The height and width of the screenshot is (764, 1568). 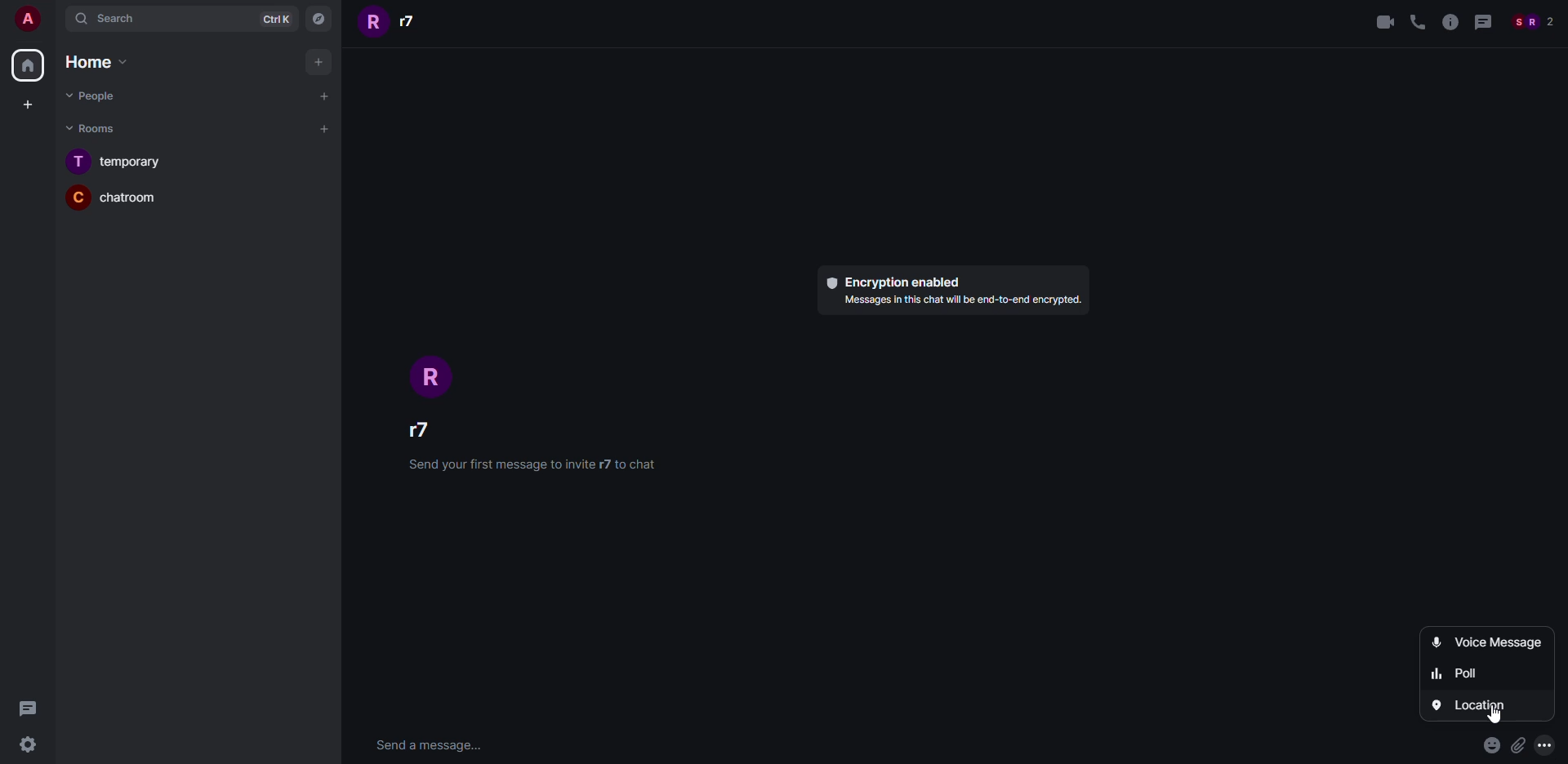 I want to click on video call, so click(x=1384, y=23).